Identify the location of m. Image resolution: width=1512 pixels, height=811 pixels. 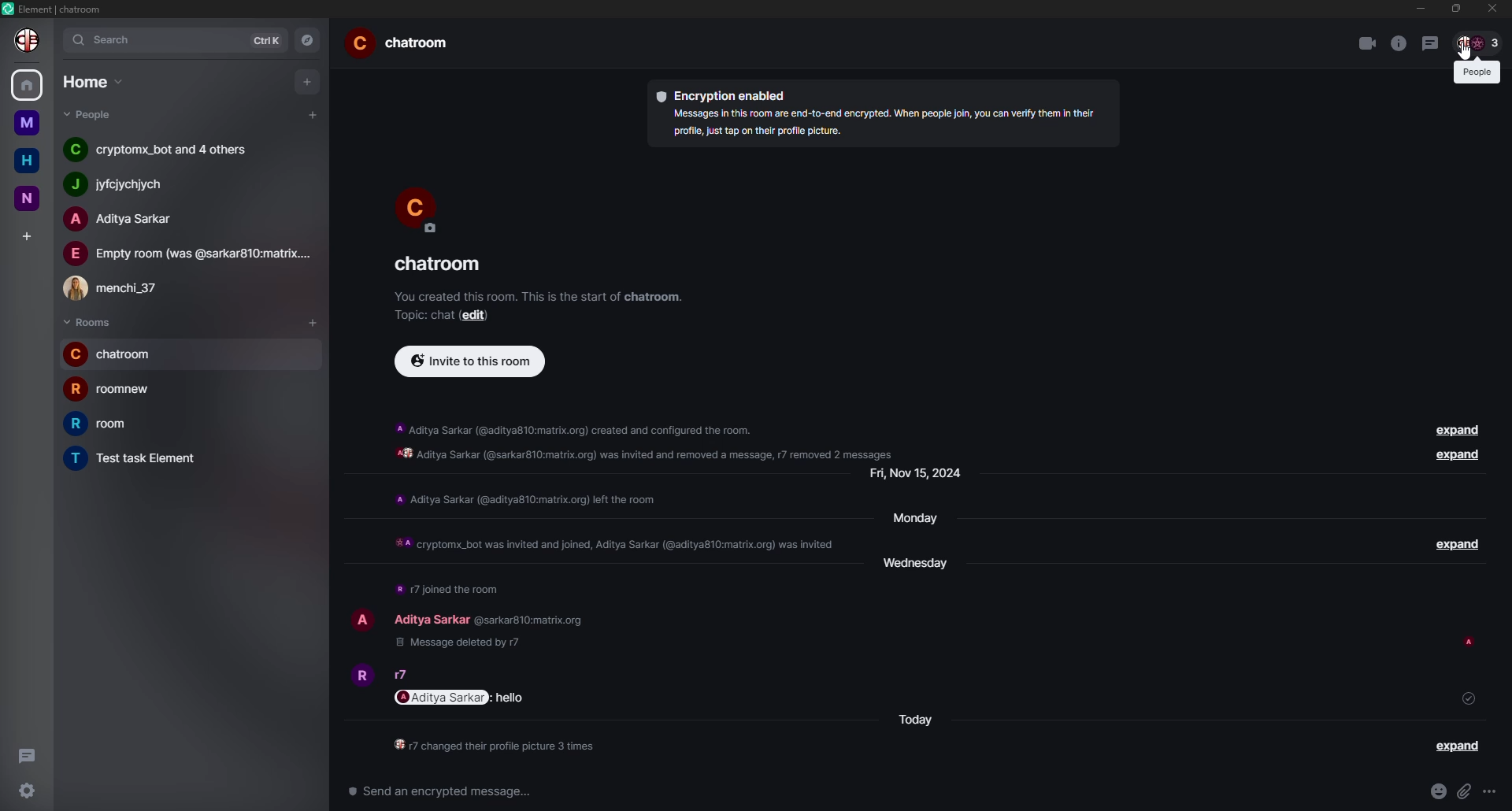
(26, 123).